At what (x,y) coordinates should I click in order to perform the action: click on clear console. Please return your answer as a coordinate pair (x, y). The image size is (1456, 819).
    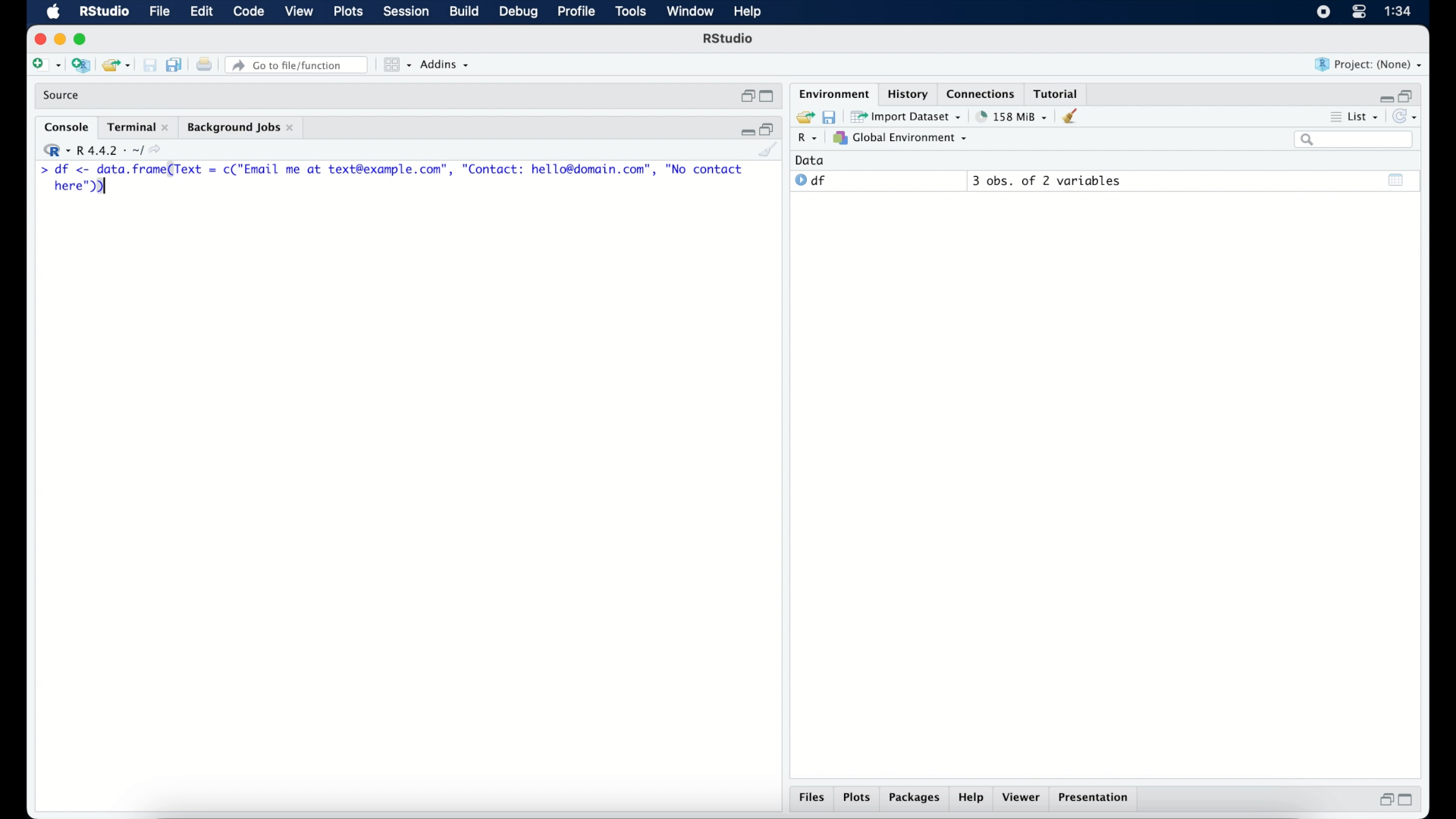
    Looking at the image, I should click on (769, 151).